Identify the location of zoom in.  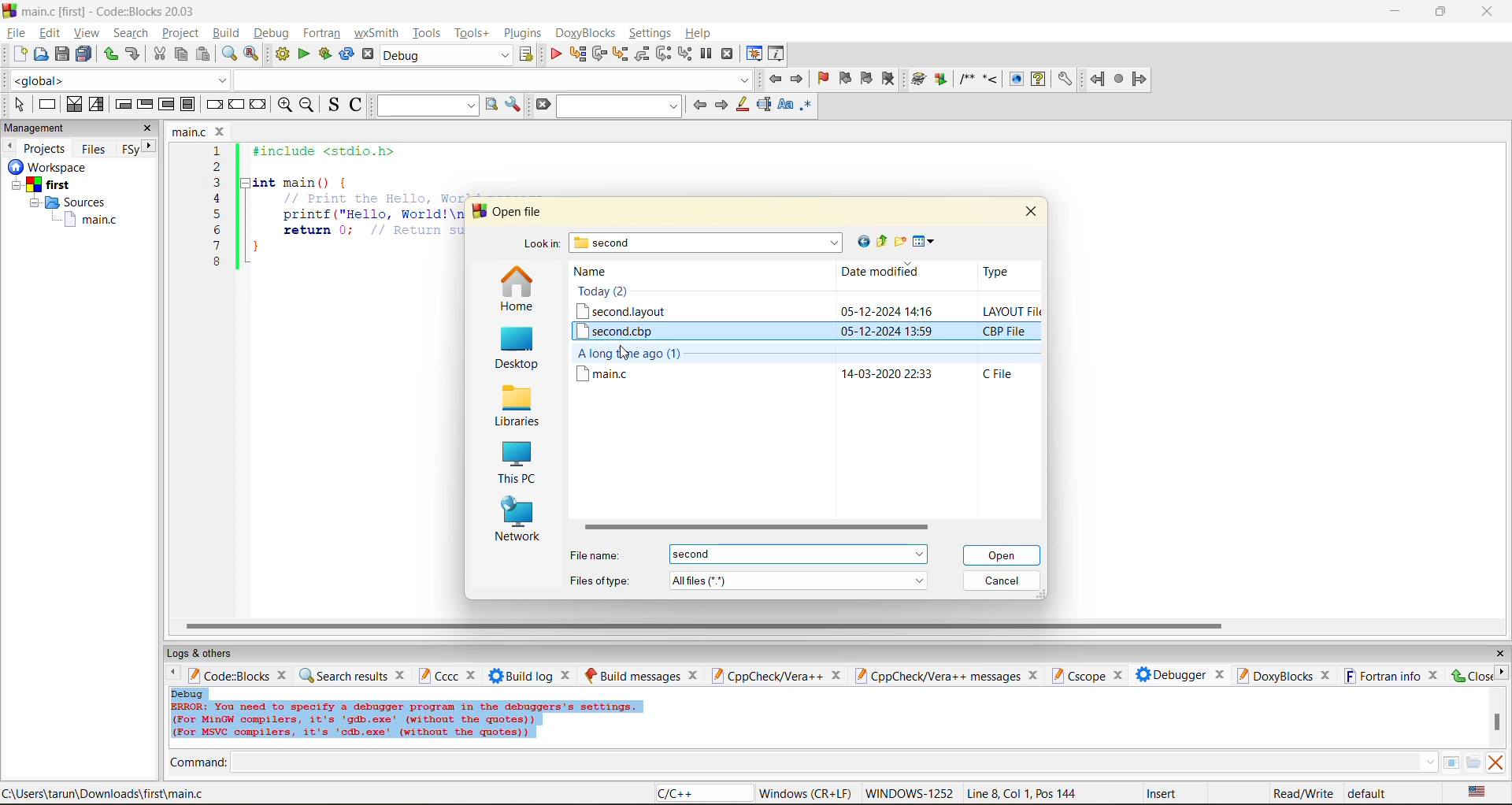
(286, 106).